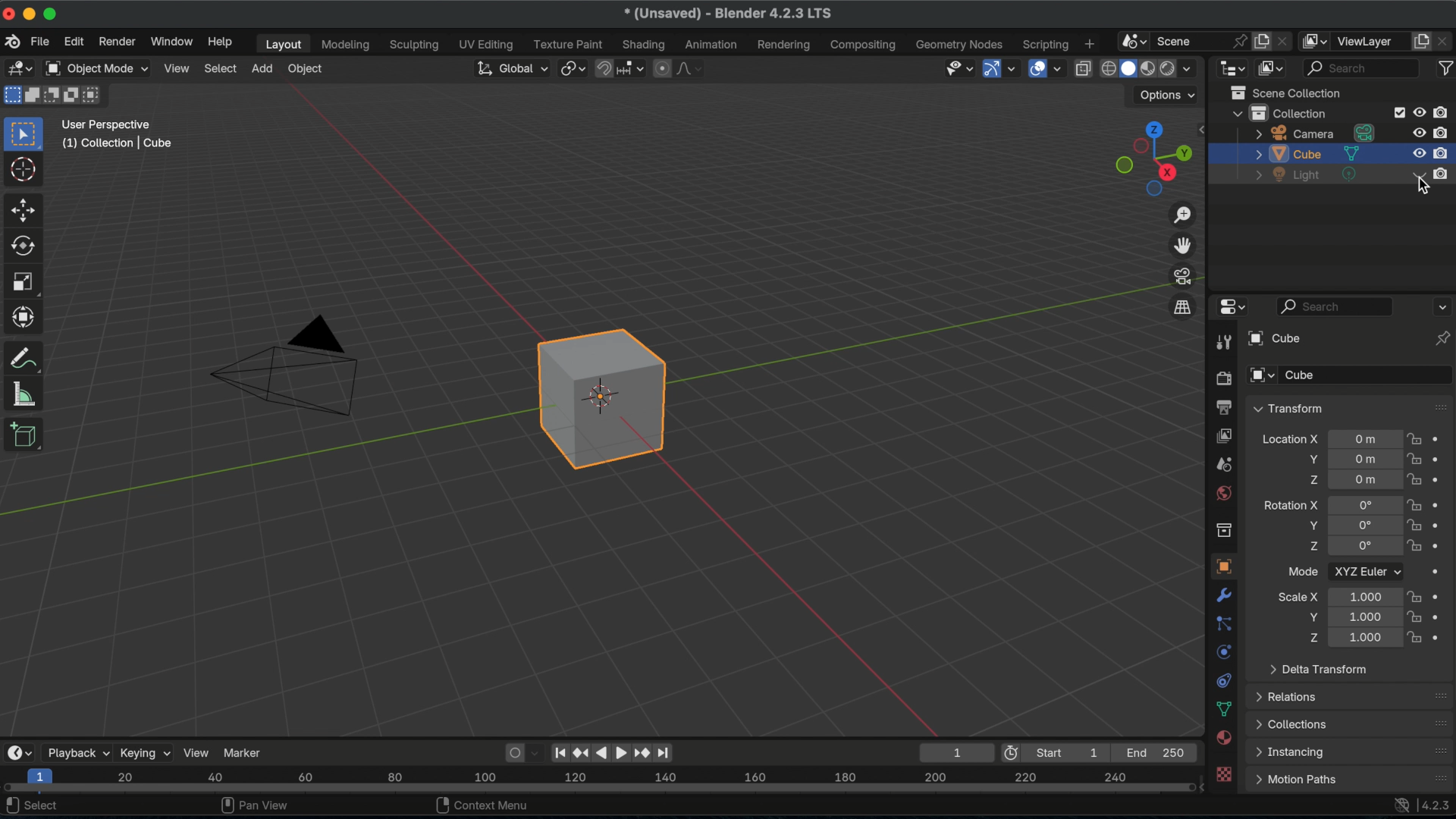  What do you see at coordinates (262, 67) in the screenshot?
I see `add` at bounding box center [262, 67].